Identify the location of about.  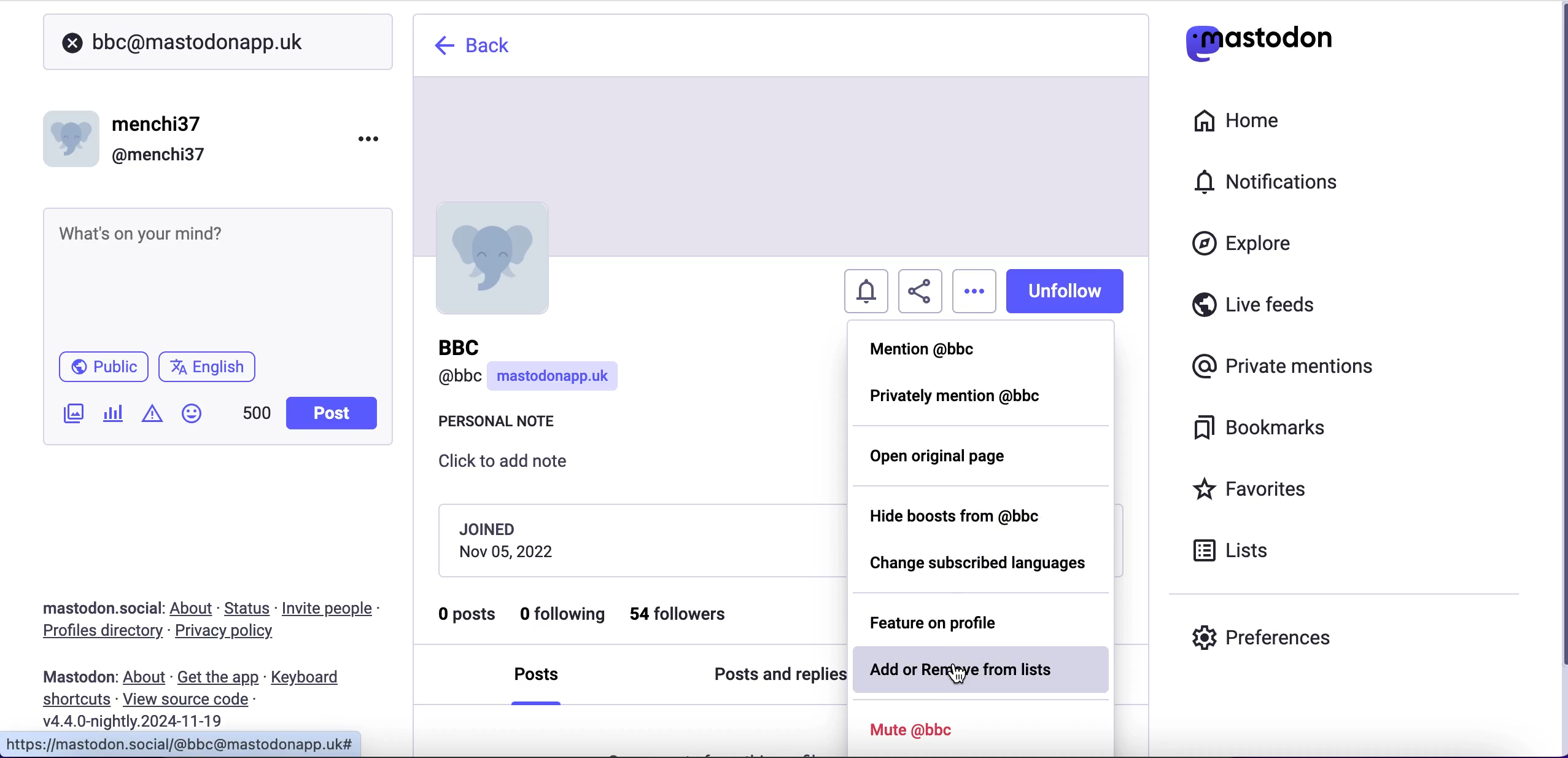
(194, 608).